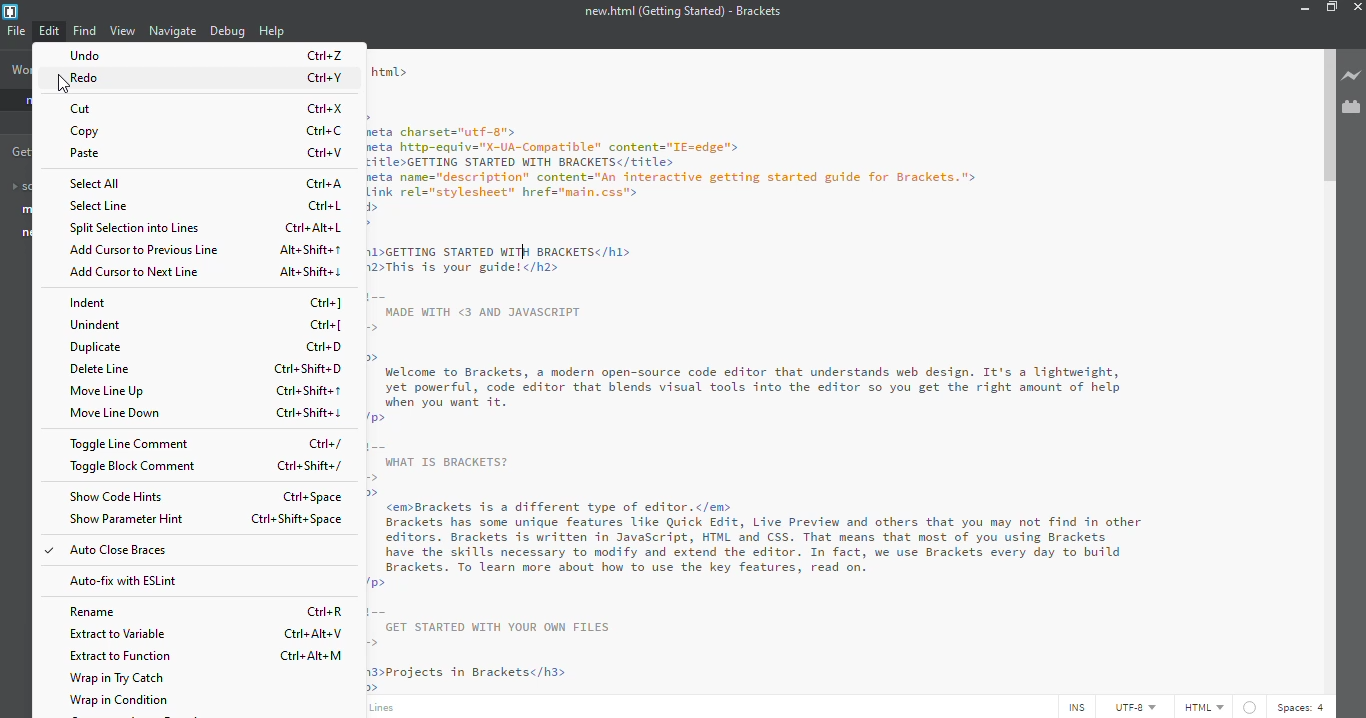 The height and width of the screenshot is (718, 1366). Describe the element at coordinates (117, 700) in the screenshot. I see `wrap in condition` at that location.